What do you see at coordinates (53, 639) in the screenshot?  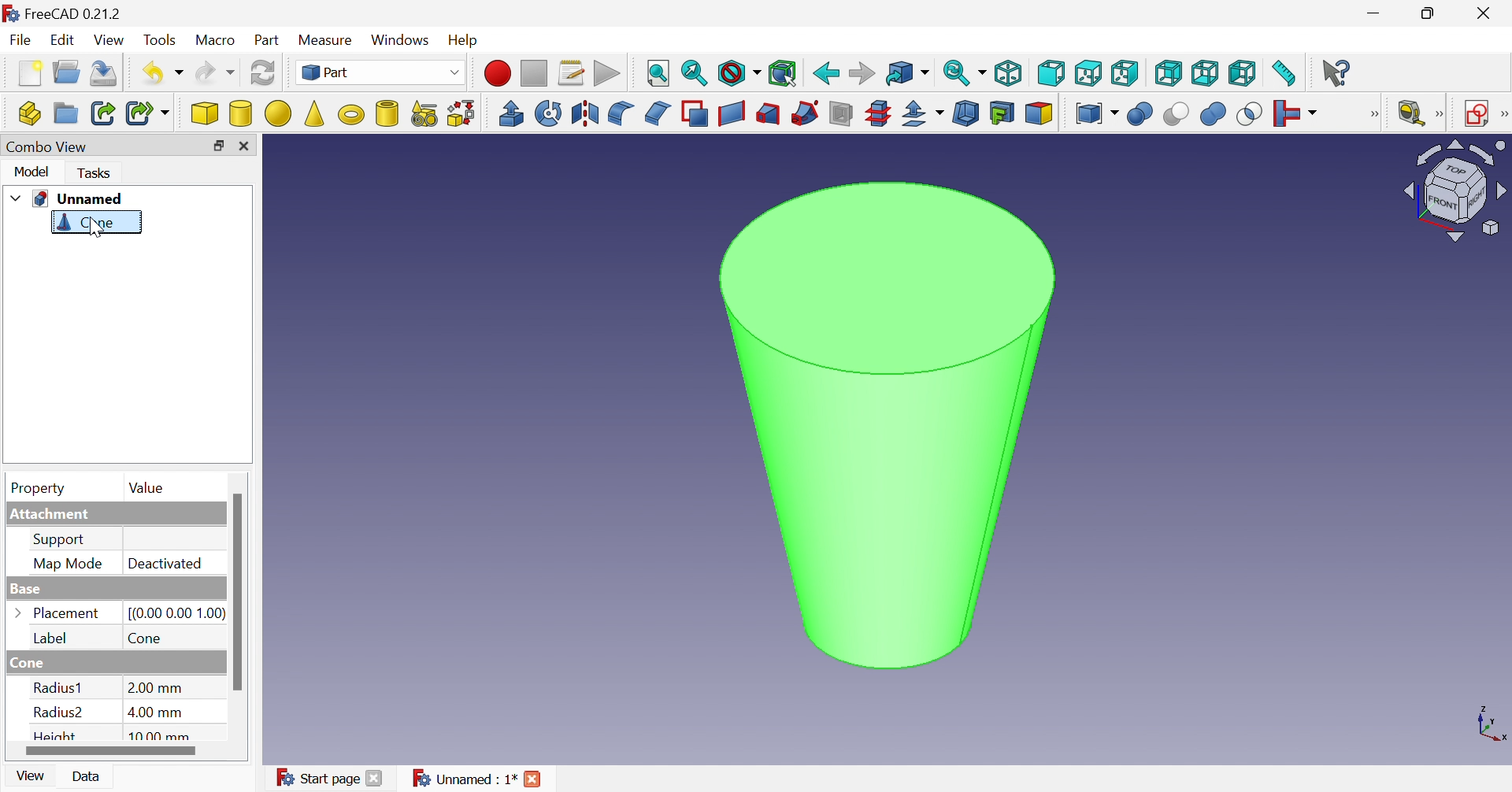 I see `Label` at bounding box center [53, 639].